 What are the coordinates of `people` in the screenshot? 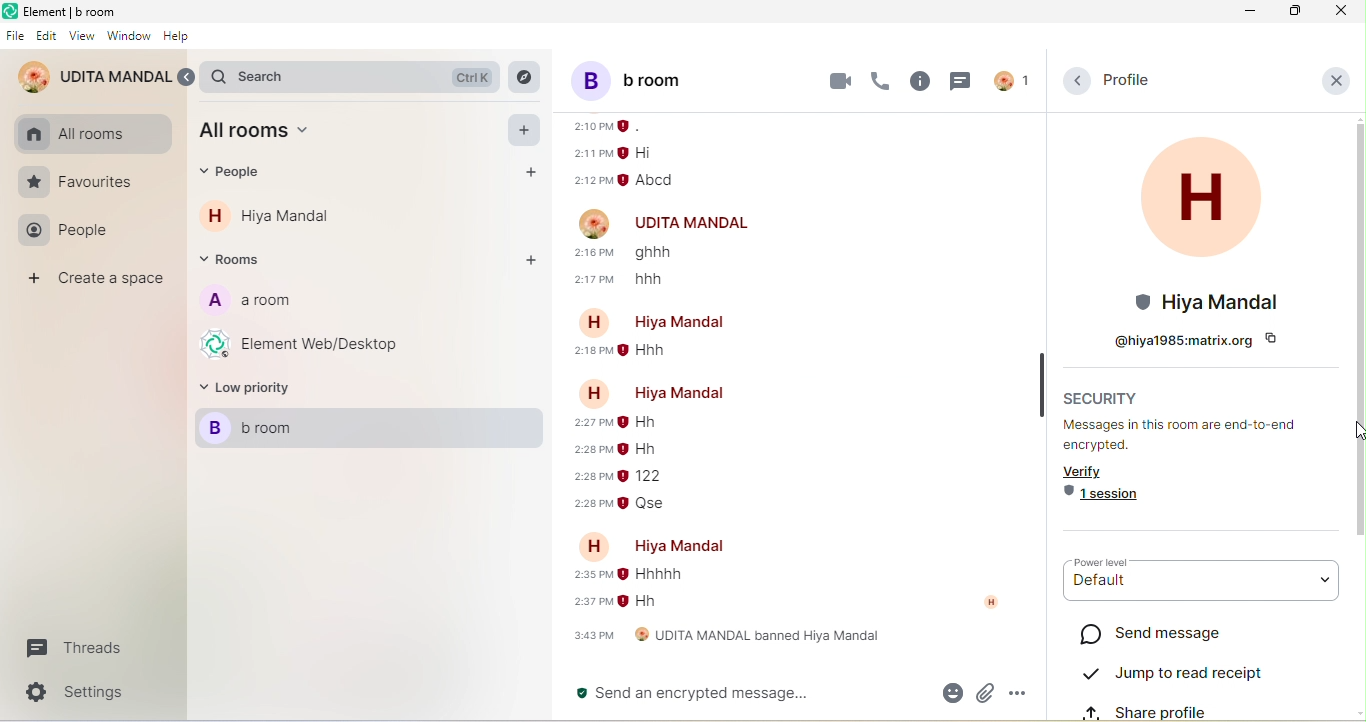 It's located at (70, 233).